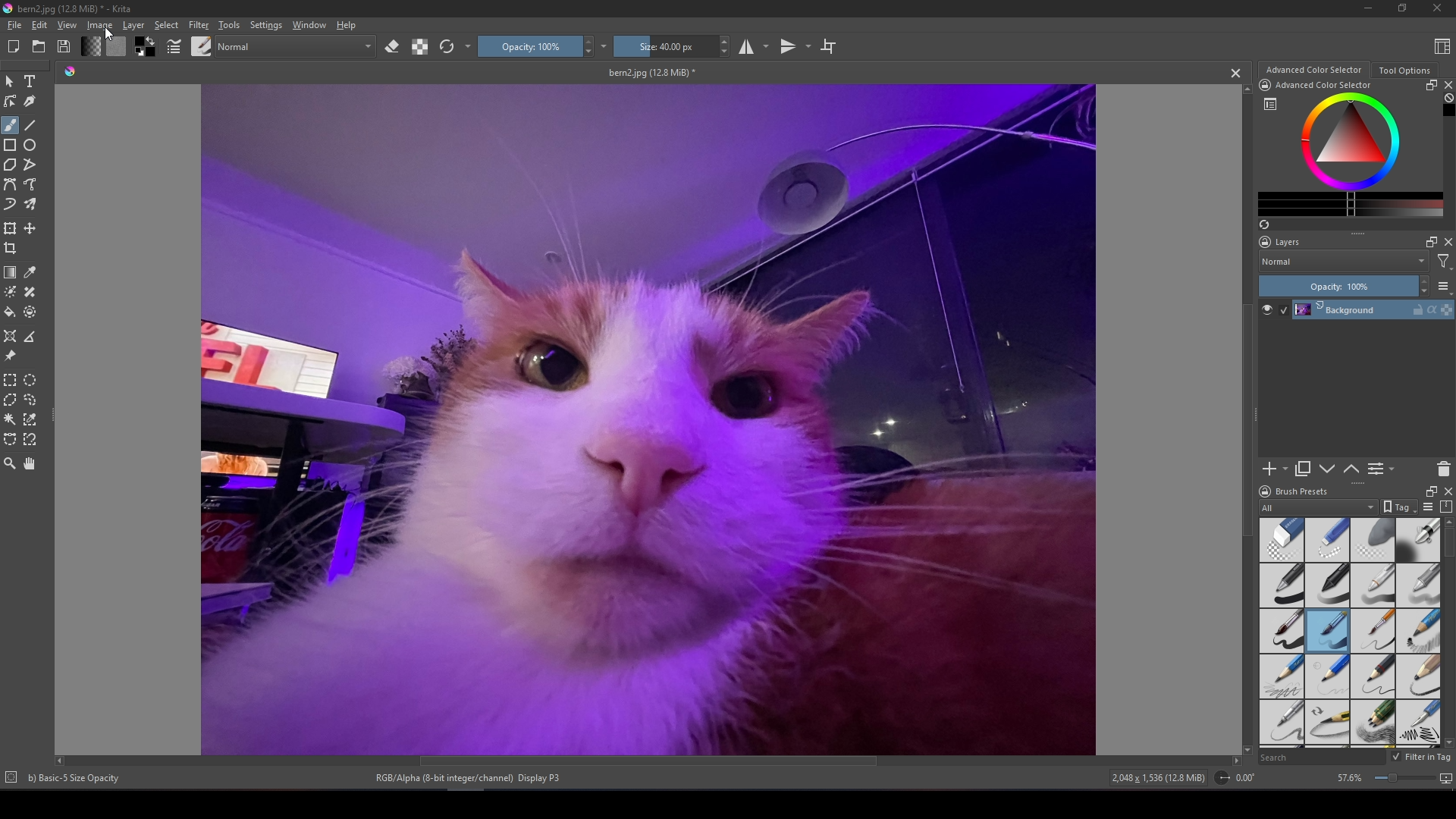 The width and height of the screenshot is (1456, 819). I want to click on Create a list of colors from the image, so click(1264, 224).